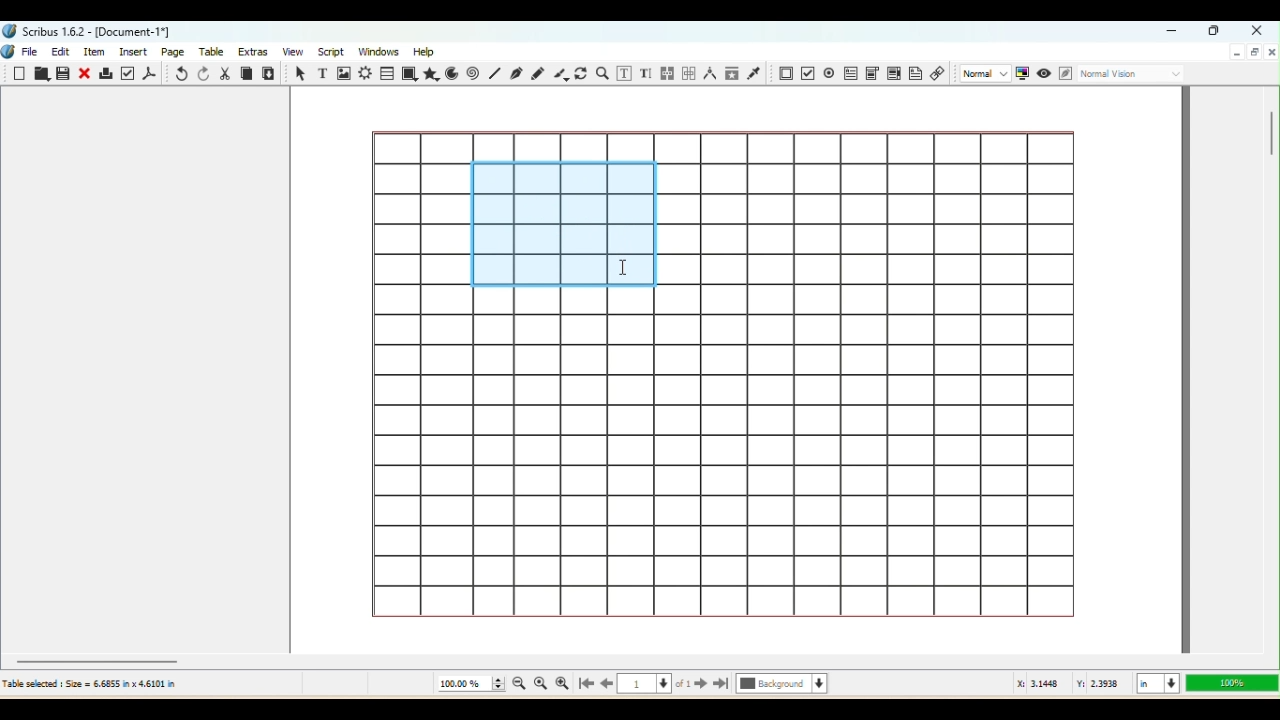 This screenshot has height=720, width=1280. I want to click on View, so click(290, 52).